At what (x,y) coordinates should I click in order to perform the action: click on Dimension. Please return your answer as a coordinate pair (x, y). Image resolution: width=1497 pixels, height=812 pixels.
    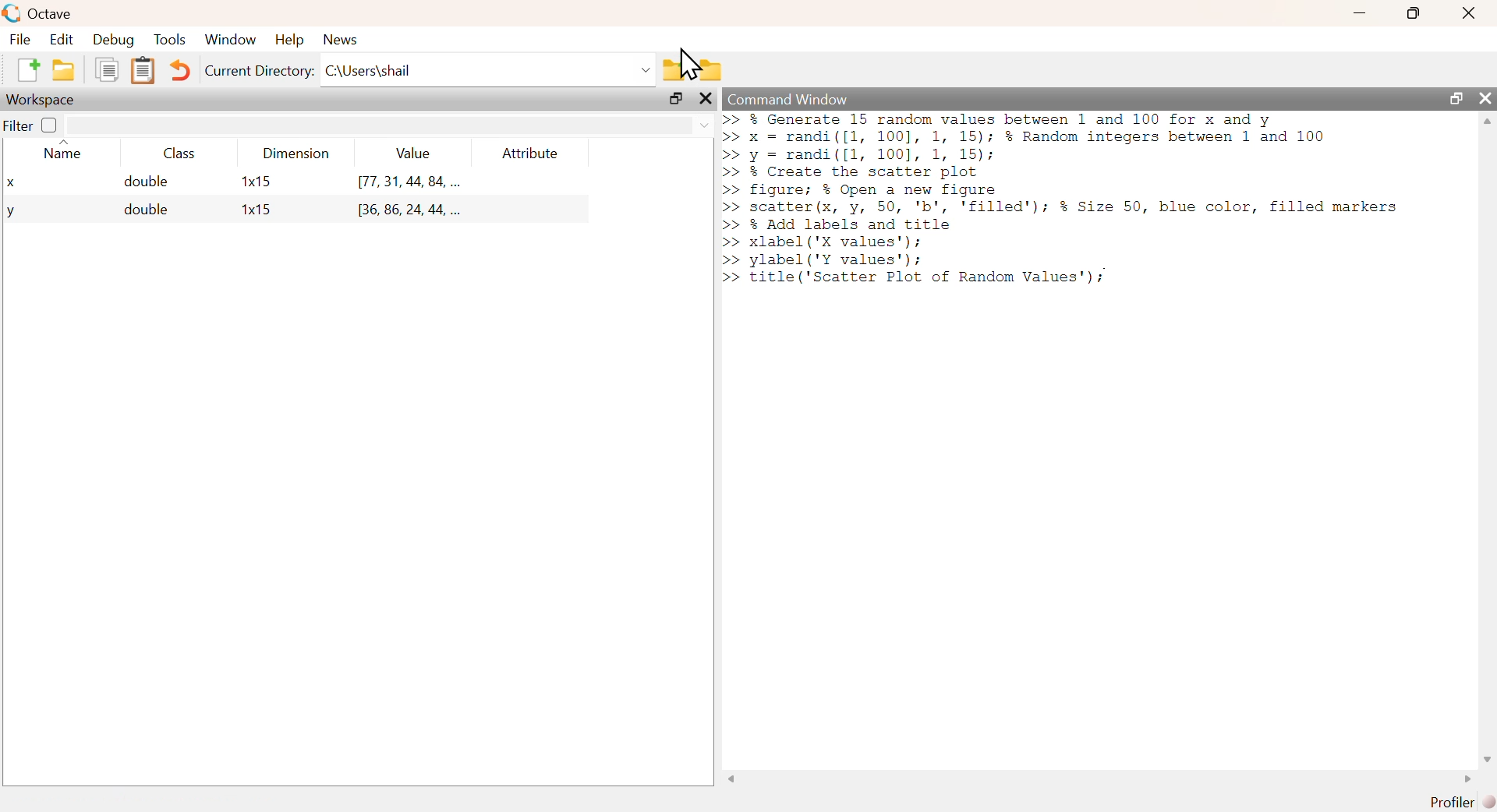
    Looking at the image, I should click on (298, 154).